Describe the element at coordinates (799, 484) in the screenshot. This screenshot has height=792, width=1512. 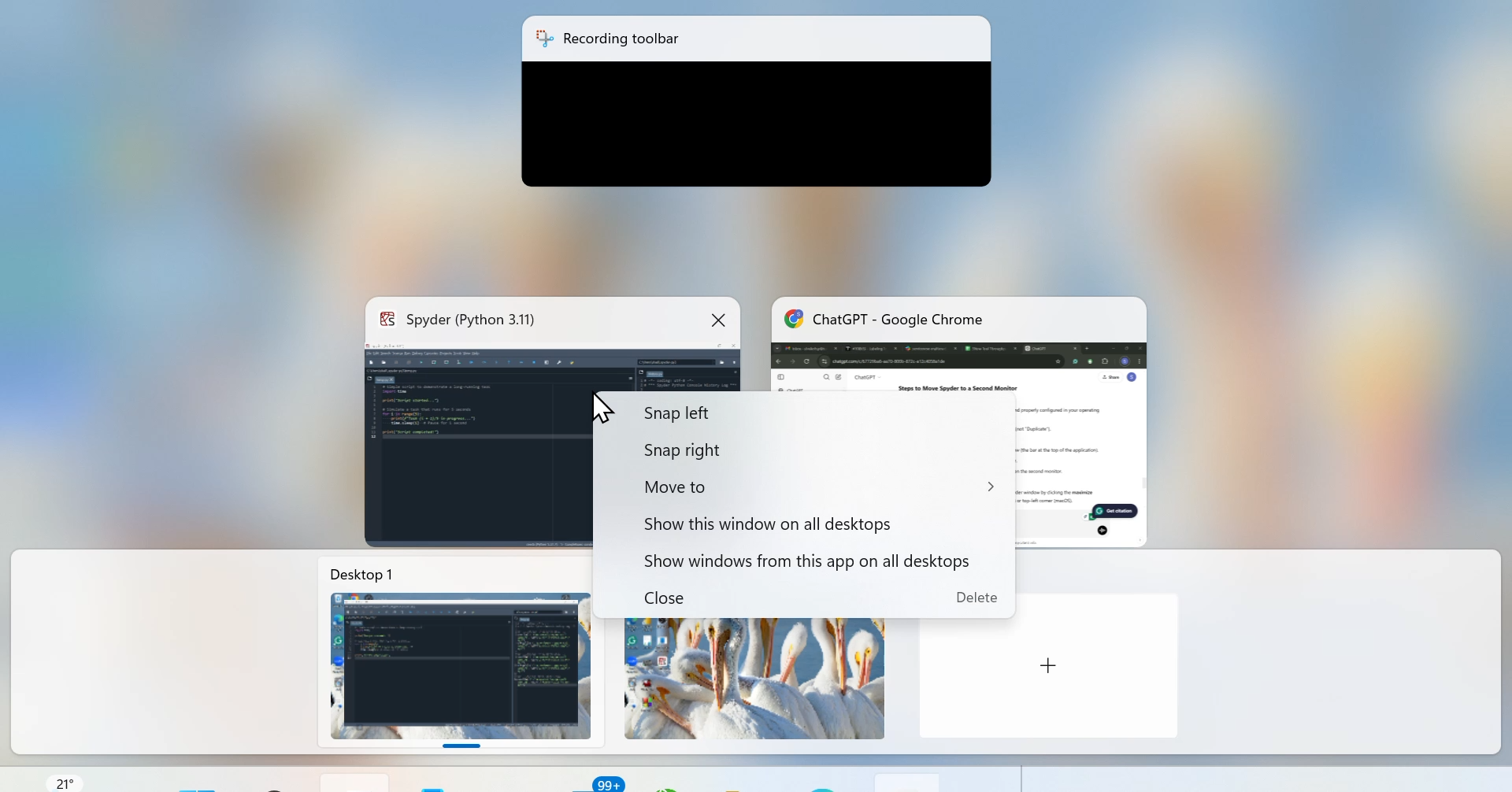
I see `Move to` at that location.